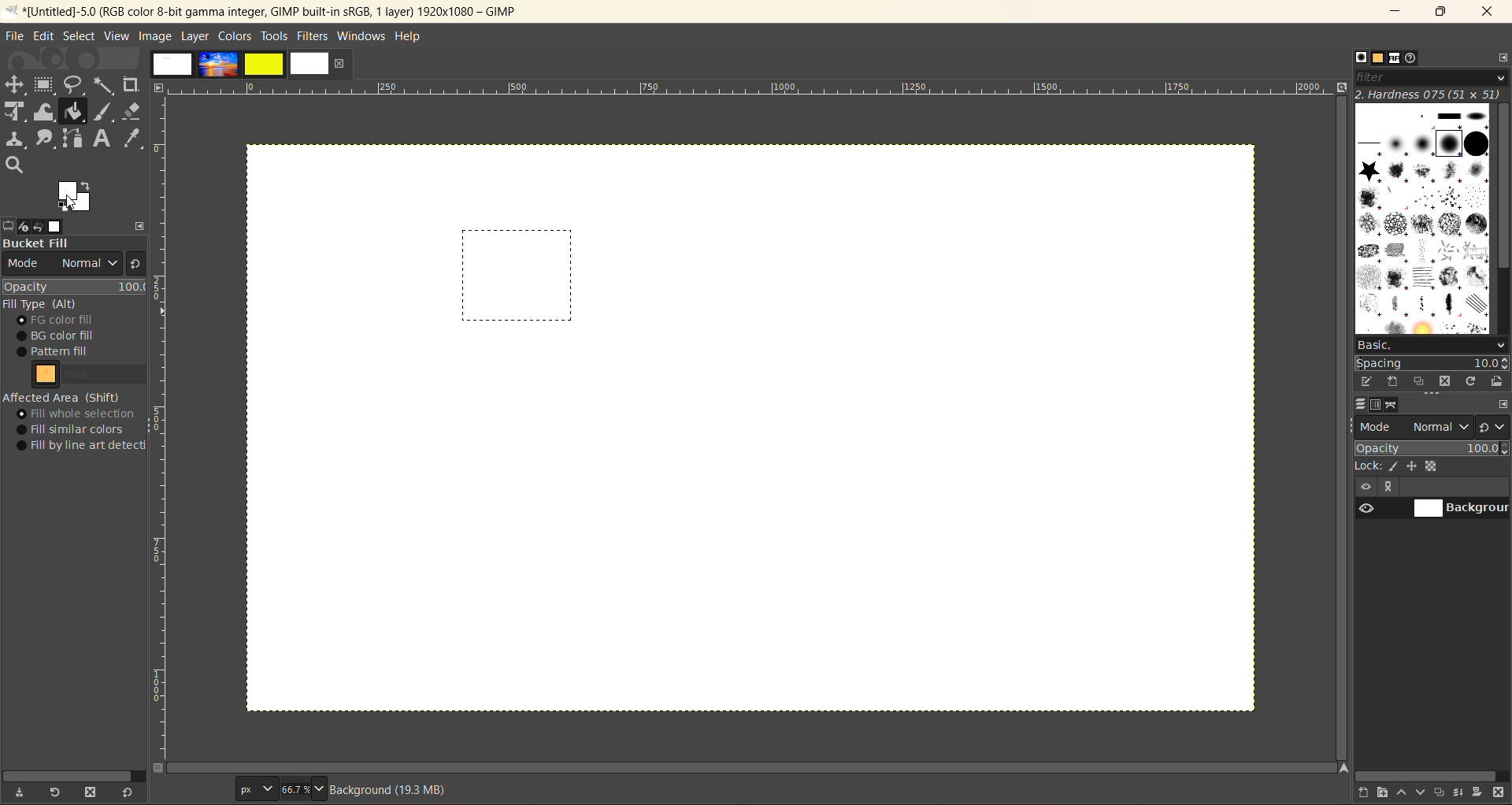 The width and height of the screenshot is (1512, 805). Describe the element at coordinates (71, 242) in the screenshot. I see `bucket fill` at that location.